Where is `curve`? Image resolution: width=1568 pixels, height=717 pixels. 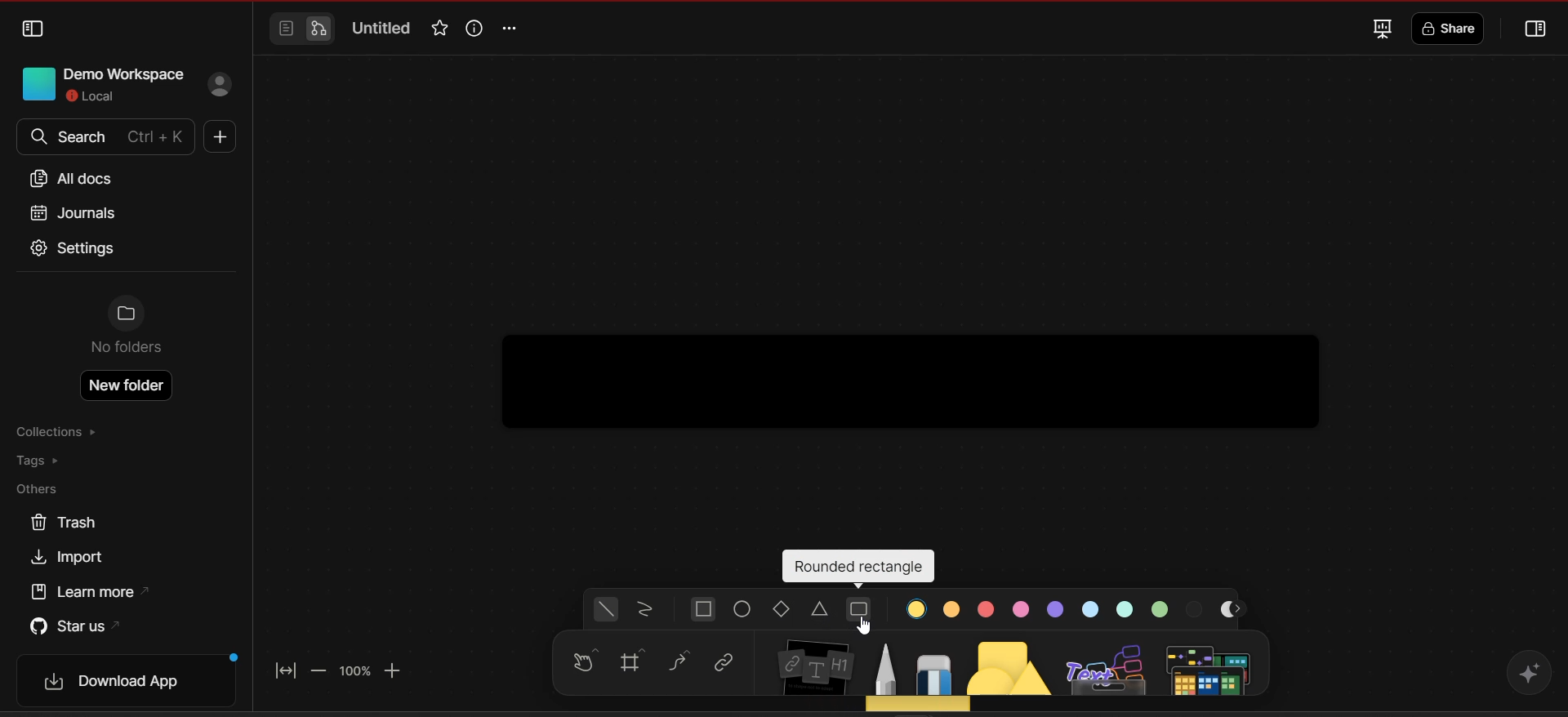 curve is located at coordinates (681, 661).